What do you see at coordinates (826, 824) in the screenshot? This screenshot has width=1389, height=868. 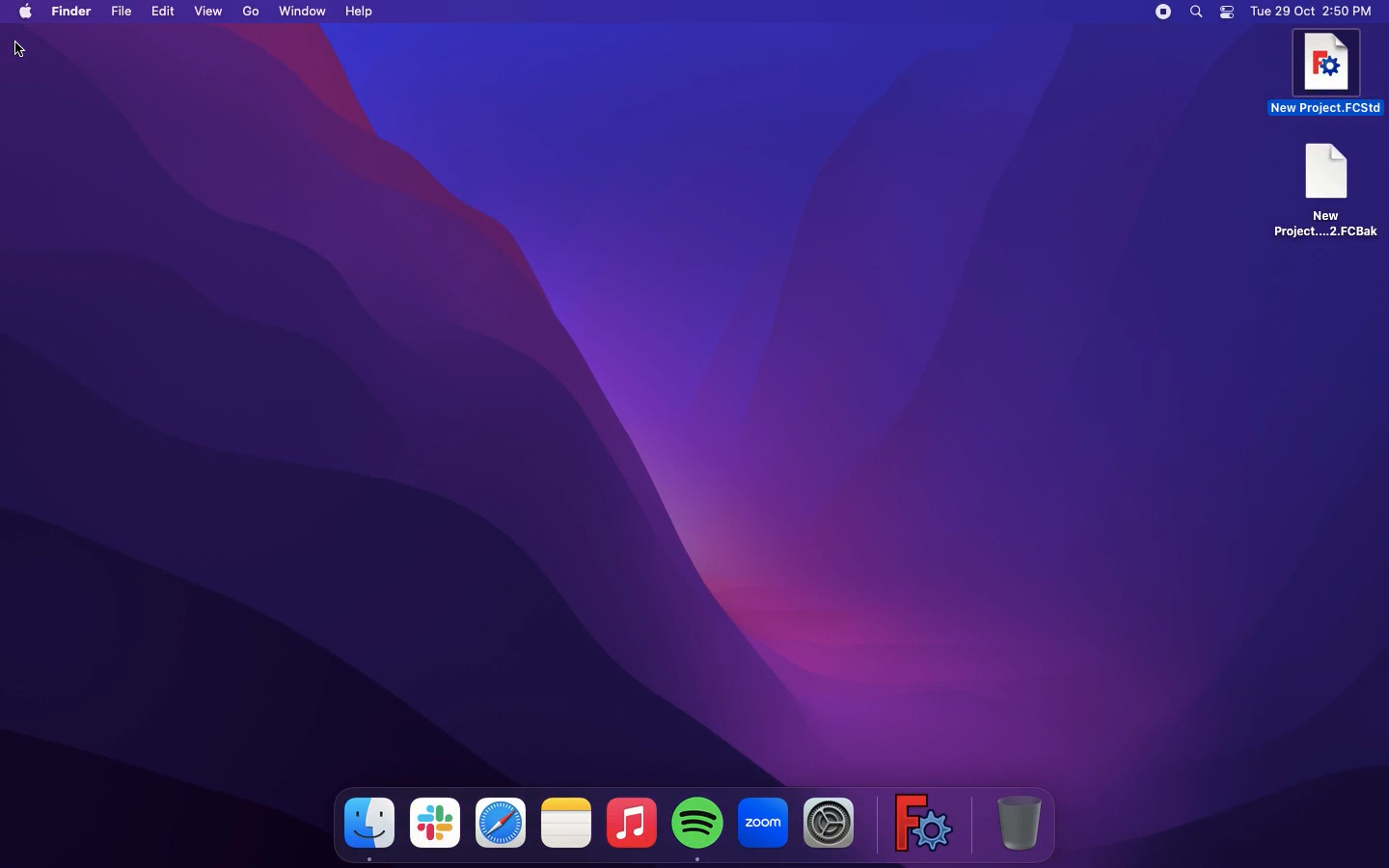 I see `SystemPreferences` at bounding box center [826, 824].